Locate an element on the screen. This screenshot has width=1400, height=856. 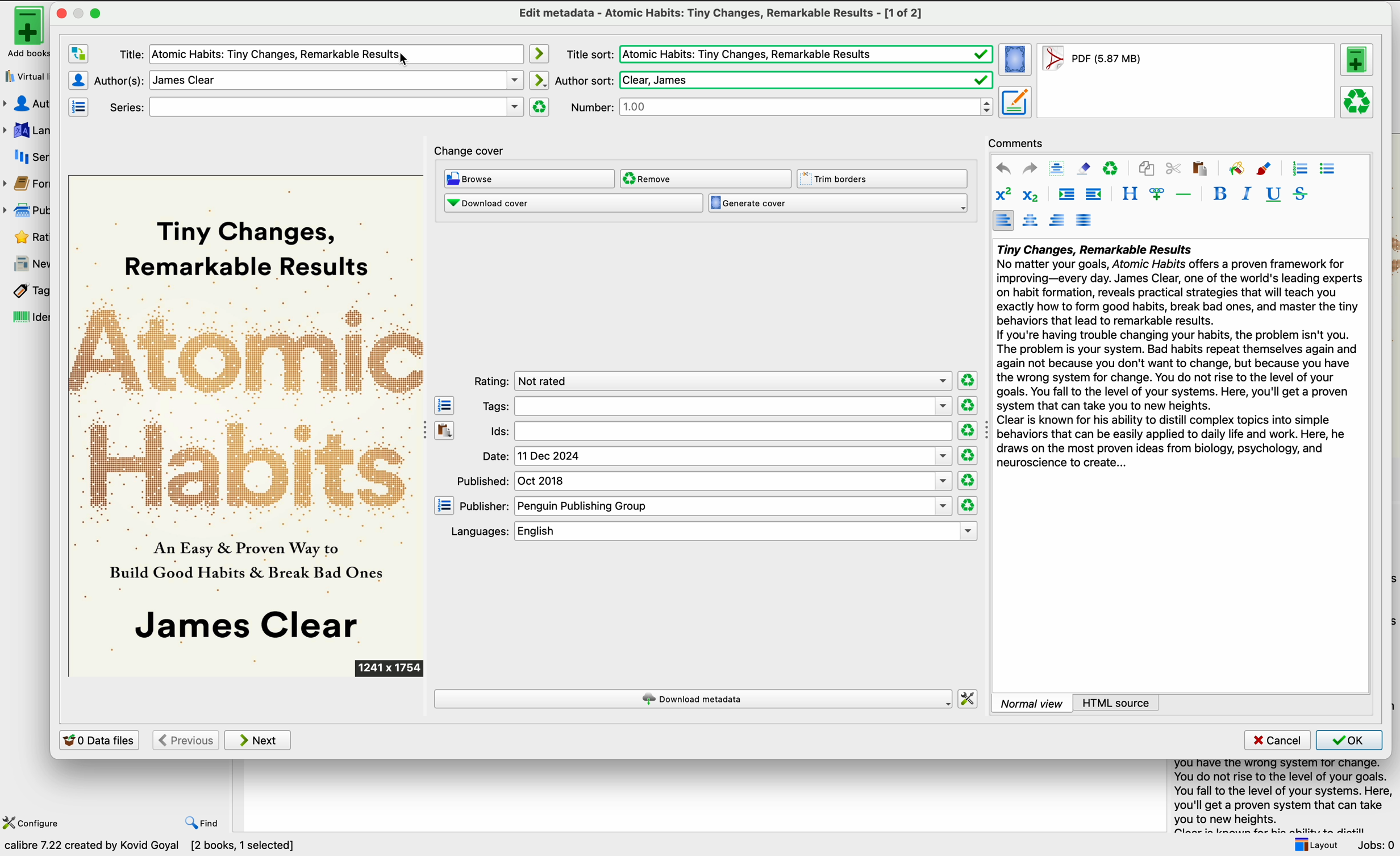
unordered list is located at coordinates (1328, 169).